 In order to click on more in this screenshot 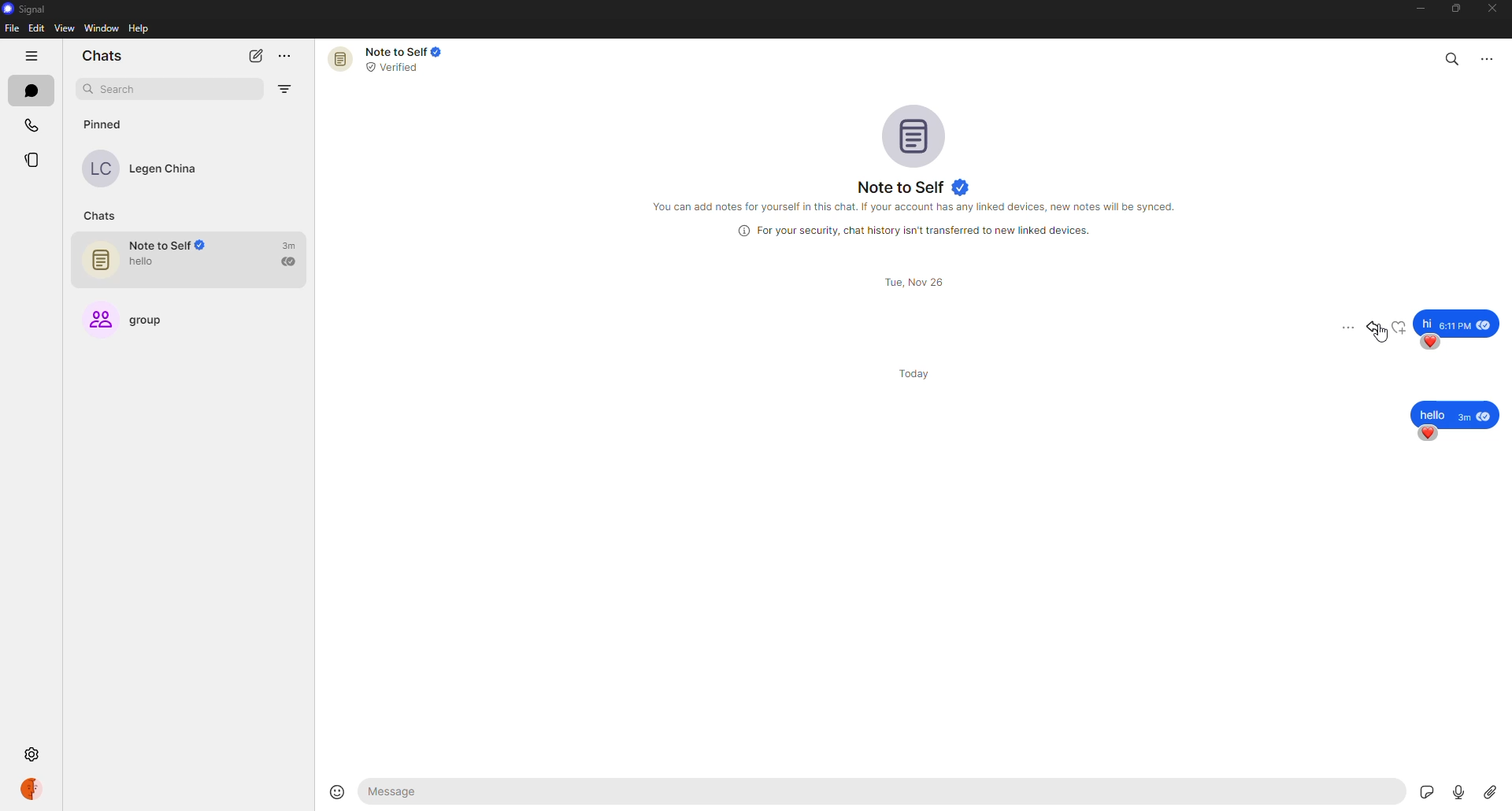, I will do `click(289, 55)`.